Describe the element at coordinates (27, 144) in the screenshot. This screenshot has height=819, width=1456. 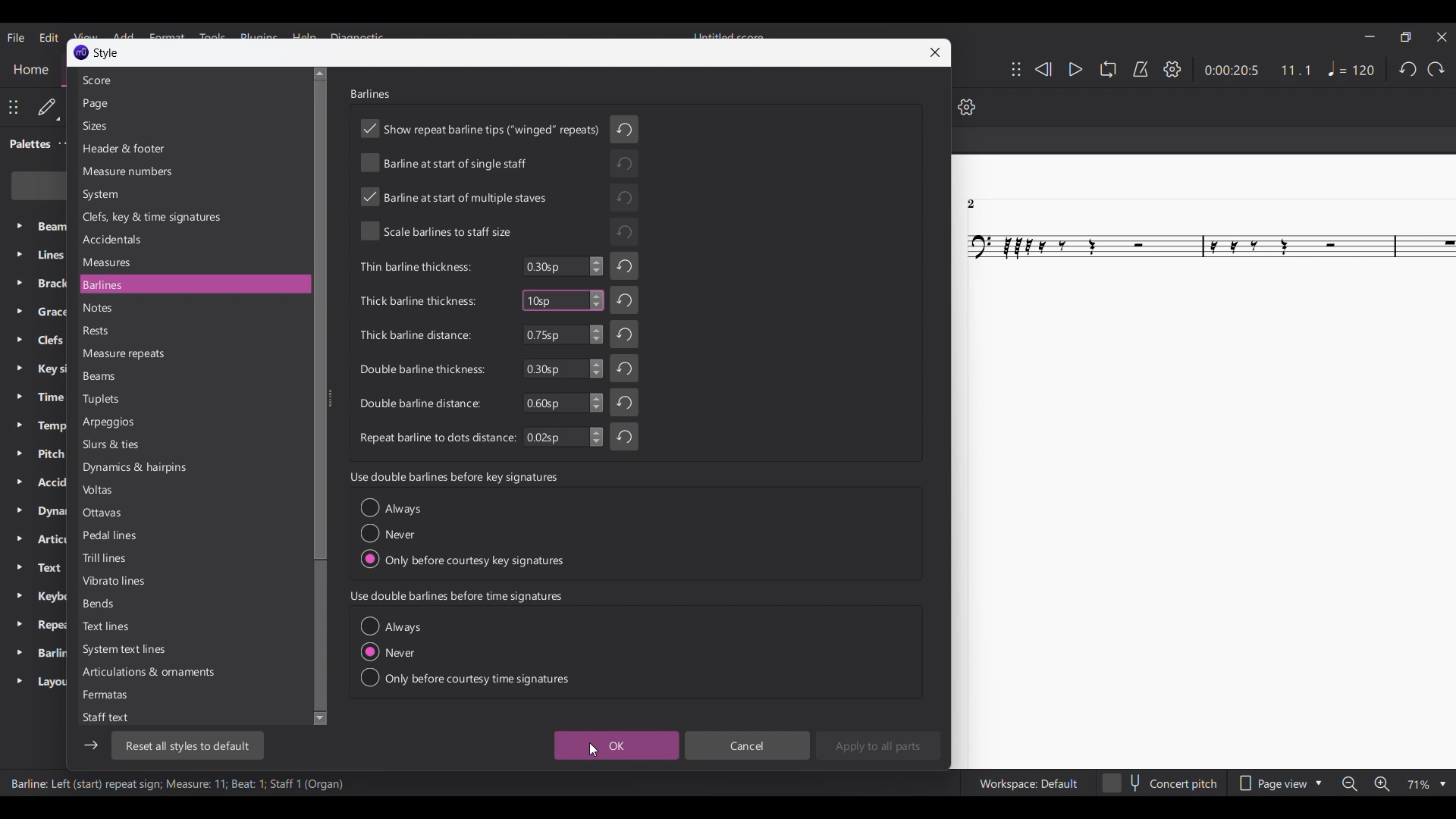
I see `Palette tab, current selection` at that location.